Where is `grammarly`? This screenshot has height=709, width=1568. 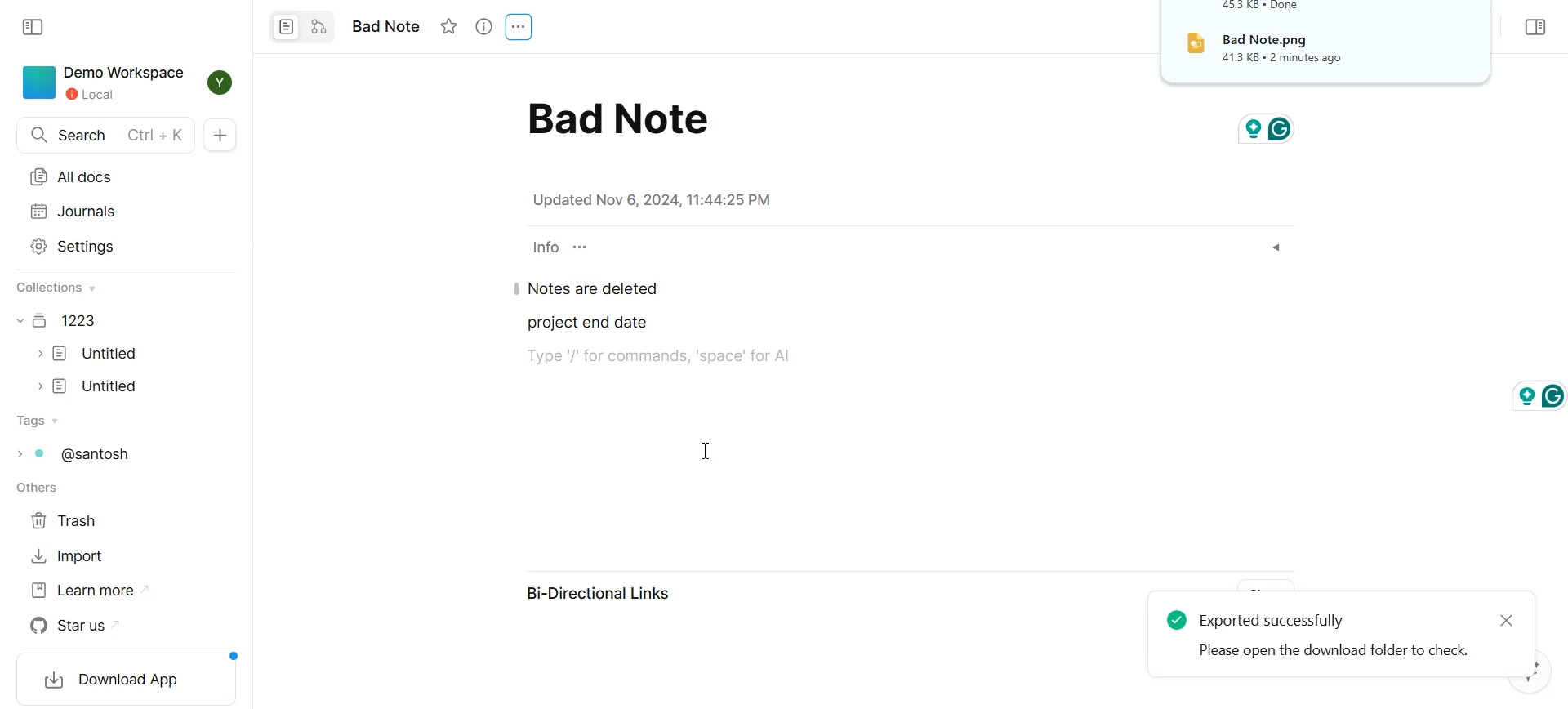 grammarly is located at coordinates (1530, 395).